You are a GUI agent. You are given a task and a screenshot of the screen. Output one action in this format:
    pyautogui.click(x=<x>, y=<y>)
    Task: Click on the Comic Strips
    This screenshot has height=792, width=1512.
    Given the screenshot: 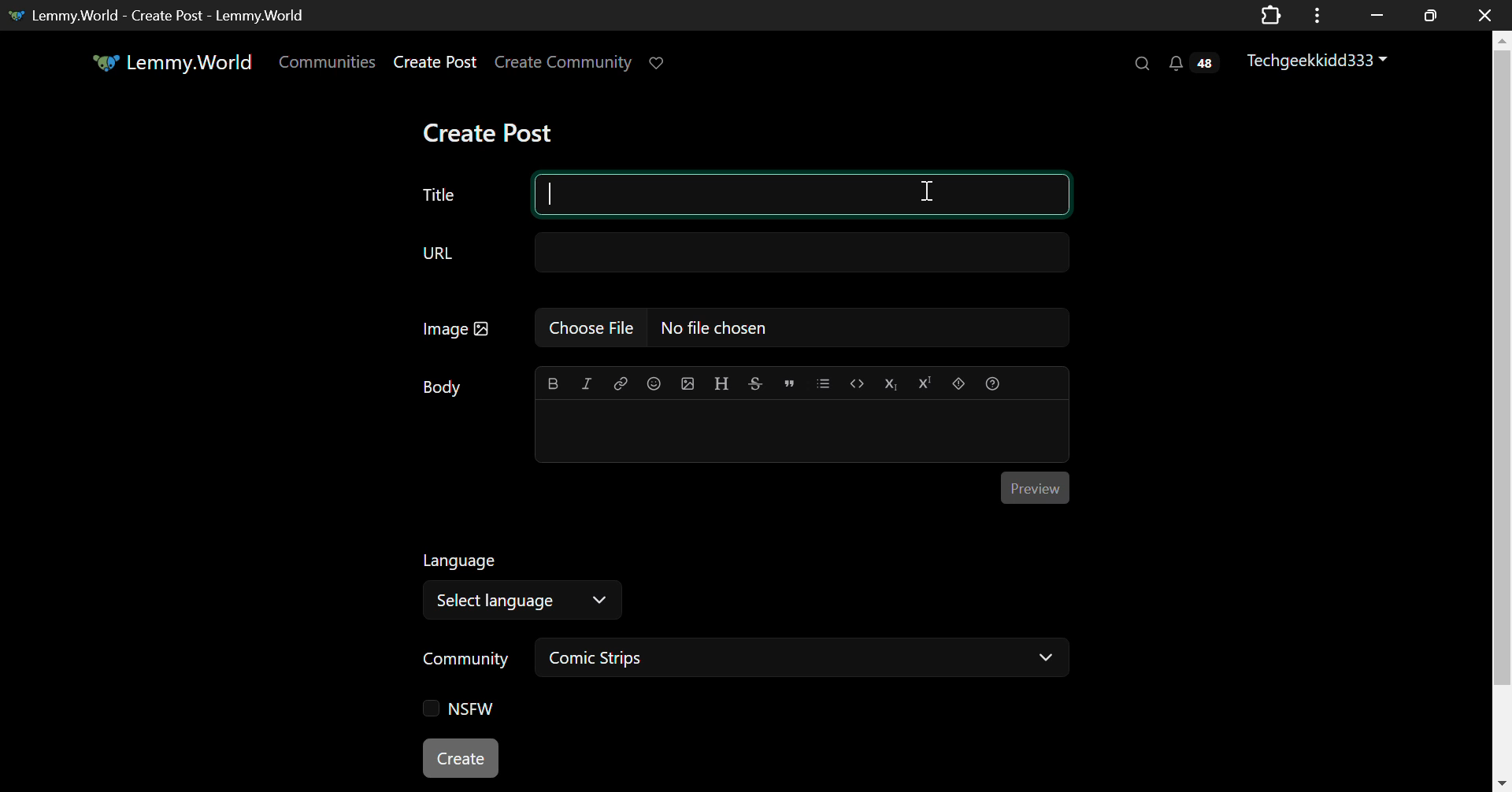 What is the action you would take?
    pyautogui.click(x=806, y=660)
    